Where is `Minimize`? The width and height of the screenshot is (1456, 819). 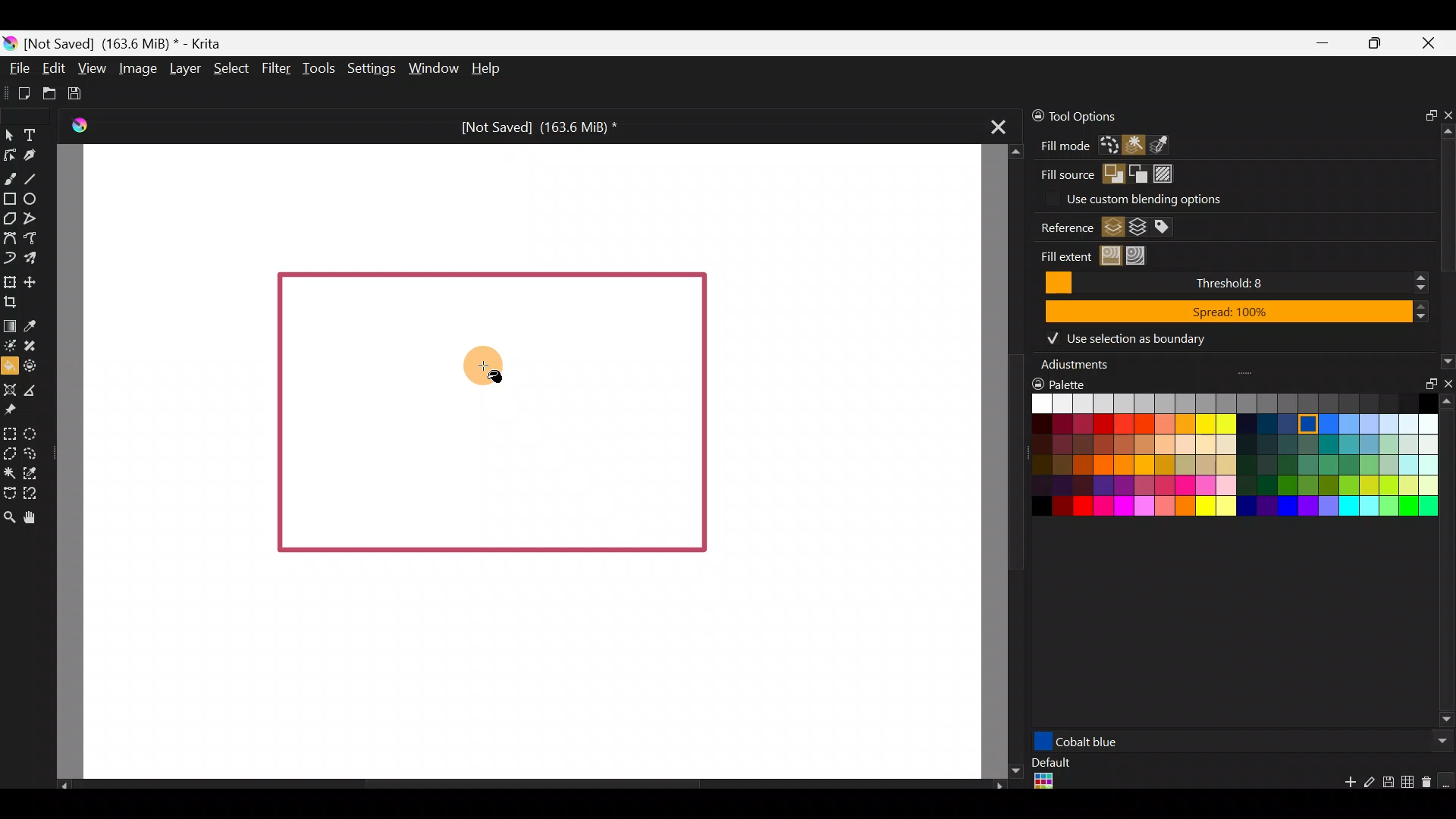 Minimize is located at coordinates (1323, 44).